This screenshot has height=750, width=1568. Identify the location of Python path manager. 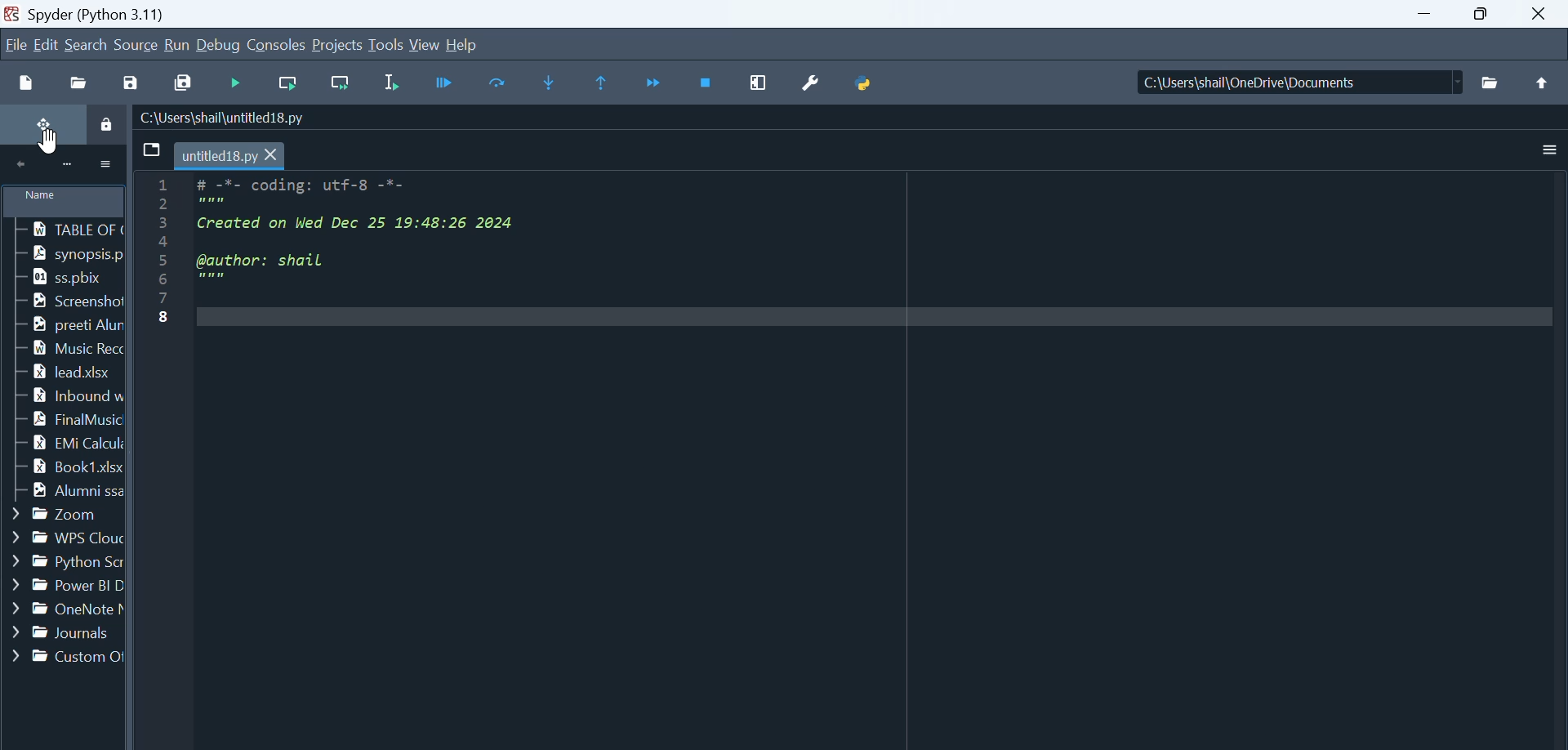
(866, 78).